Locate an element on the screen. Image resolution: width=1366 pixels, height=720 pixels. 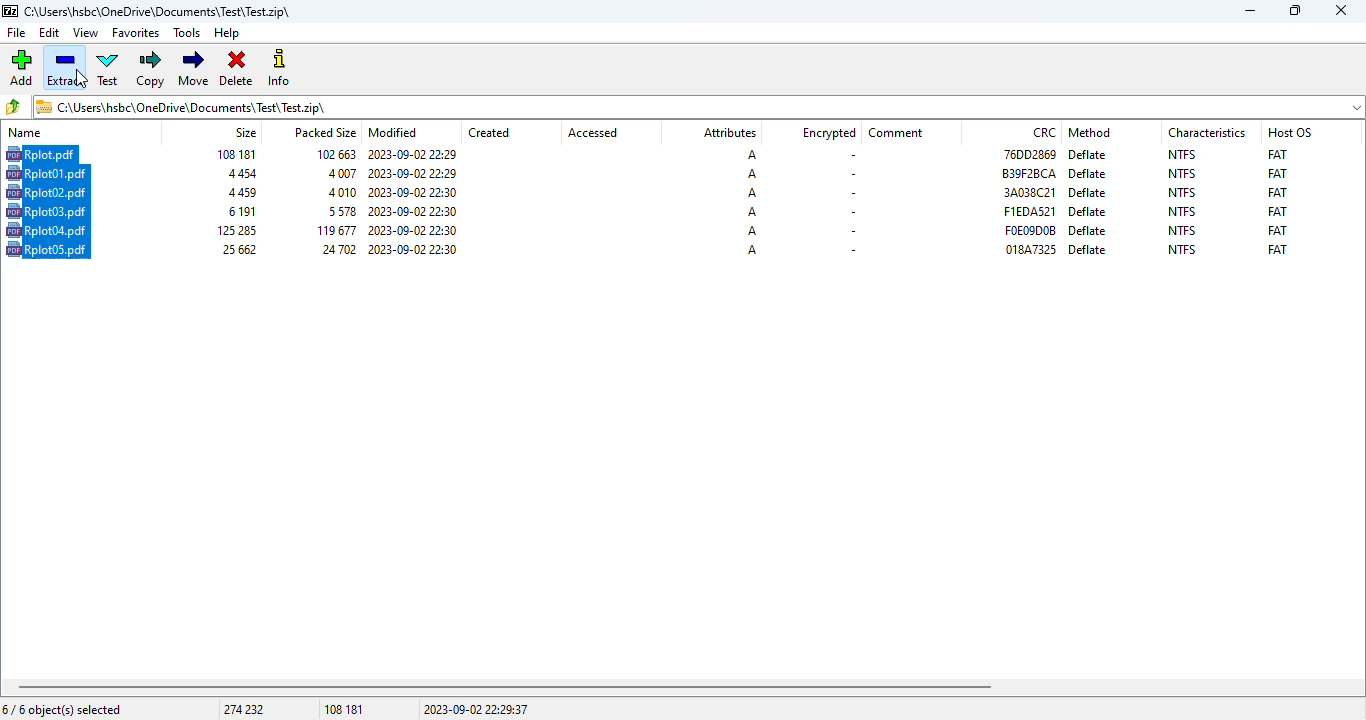
created is located at coordinates (489, 133).